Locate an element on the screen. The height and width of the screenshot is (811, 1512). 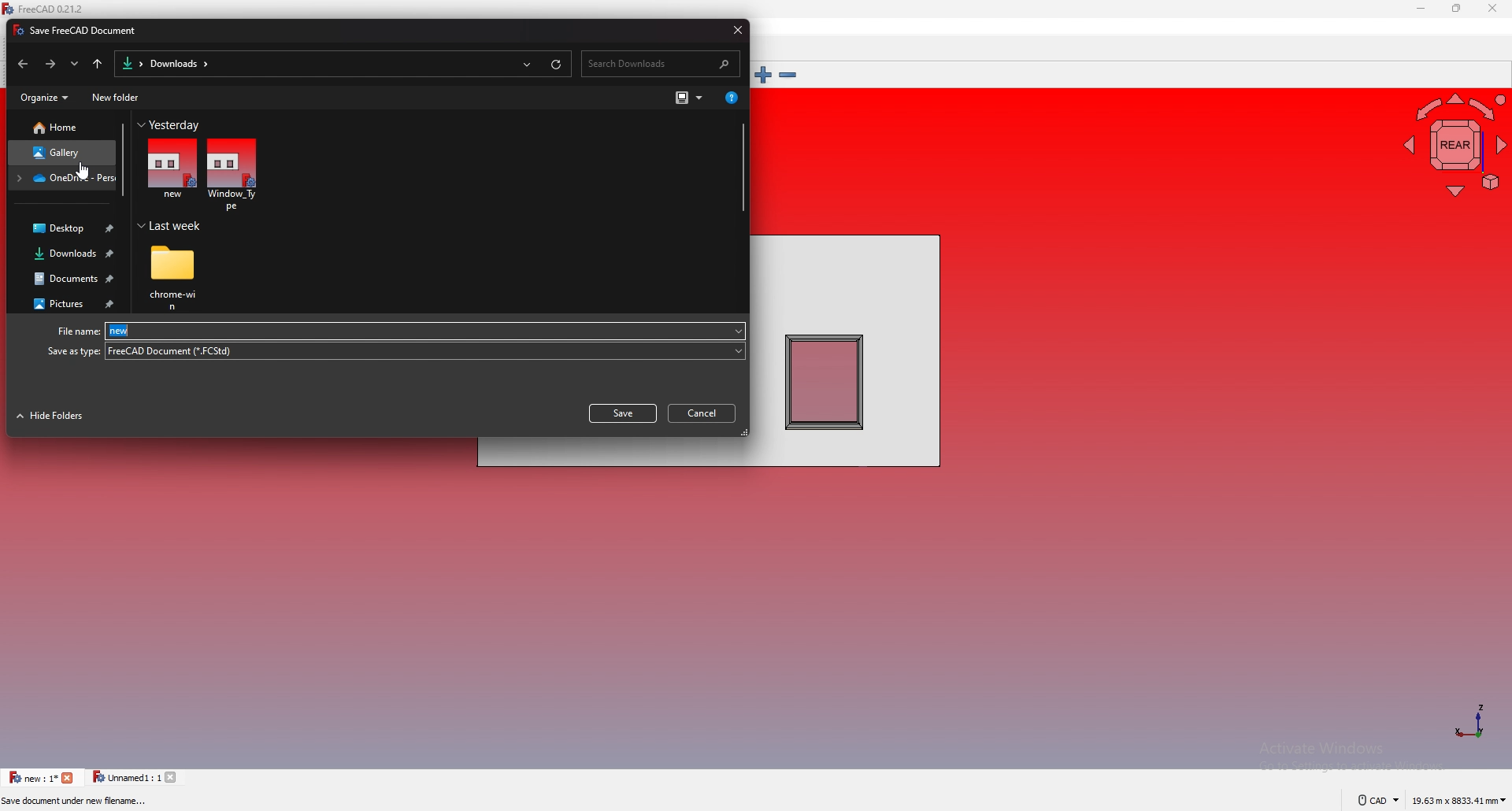
folder is located at coordinates (65, 180).